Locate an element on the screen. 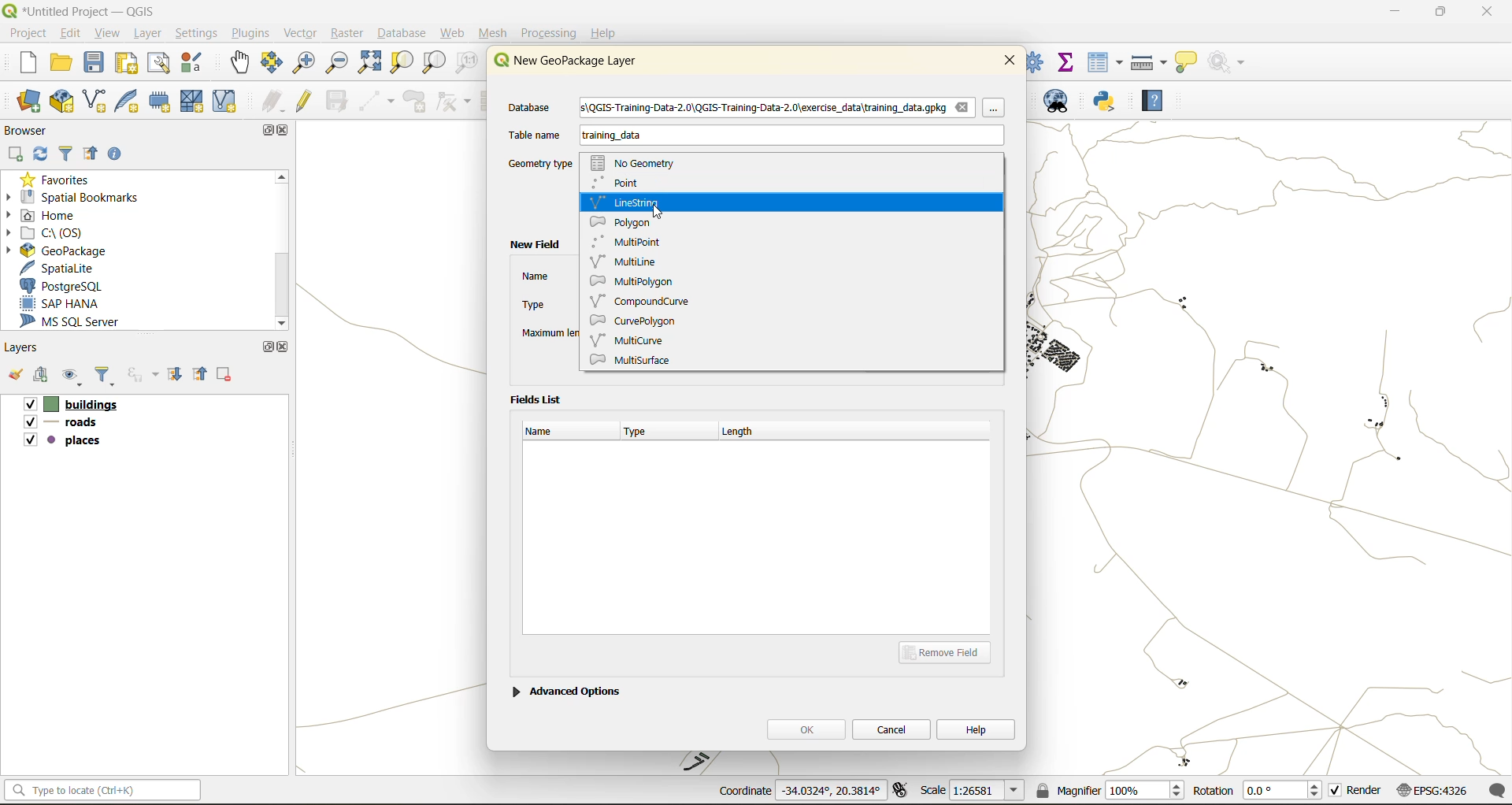 The width and height of the screenshot is (1512, 805). collapse all is located at coordinates (202, 373).